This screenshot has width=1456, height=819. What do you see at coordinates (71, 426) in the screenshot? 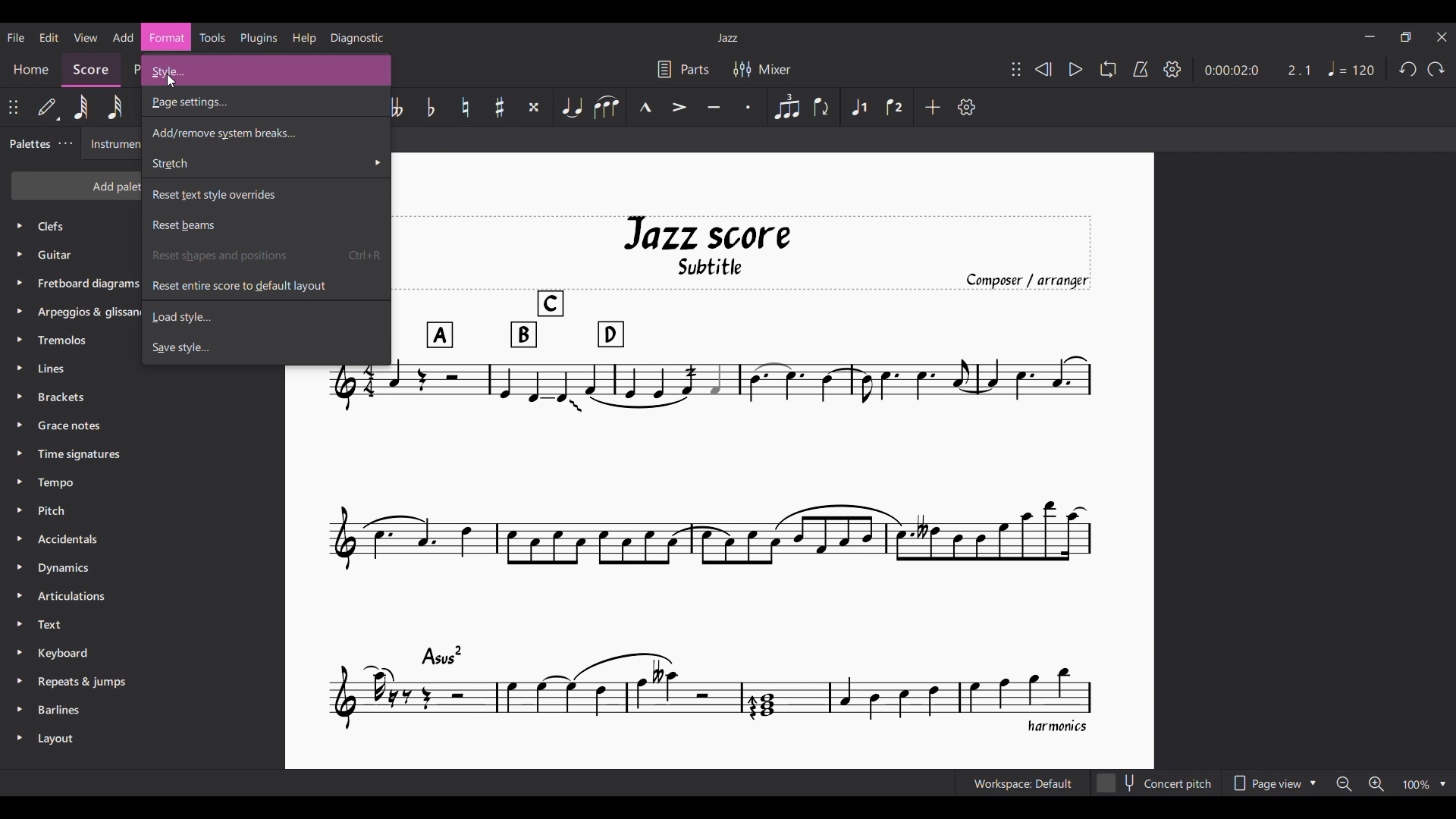
I see `Grace Notes` at bounding box center [71, 426].